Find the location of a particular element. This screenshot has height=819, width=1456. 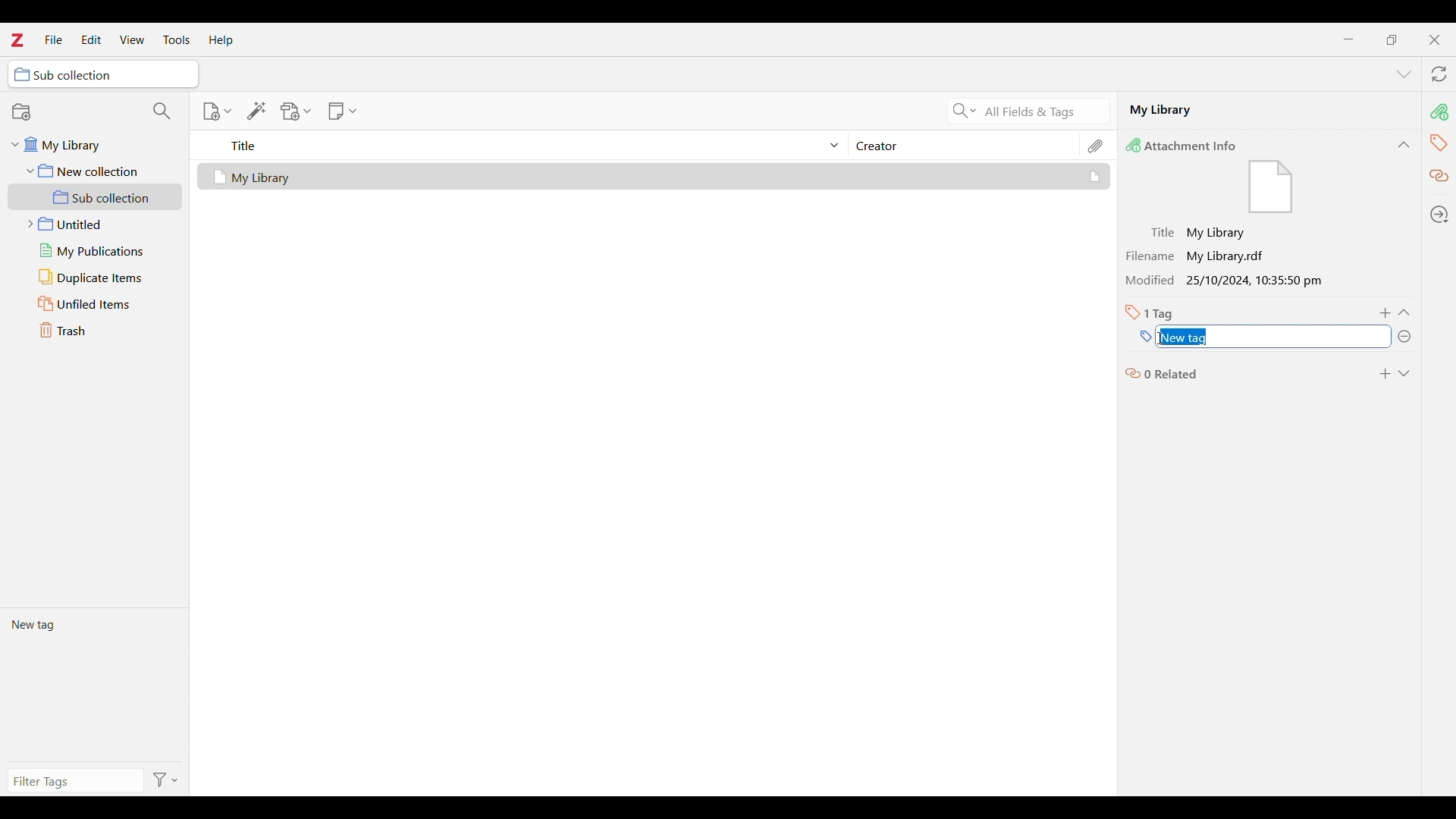

Filter options is located at coordinates (166, 781).